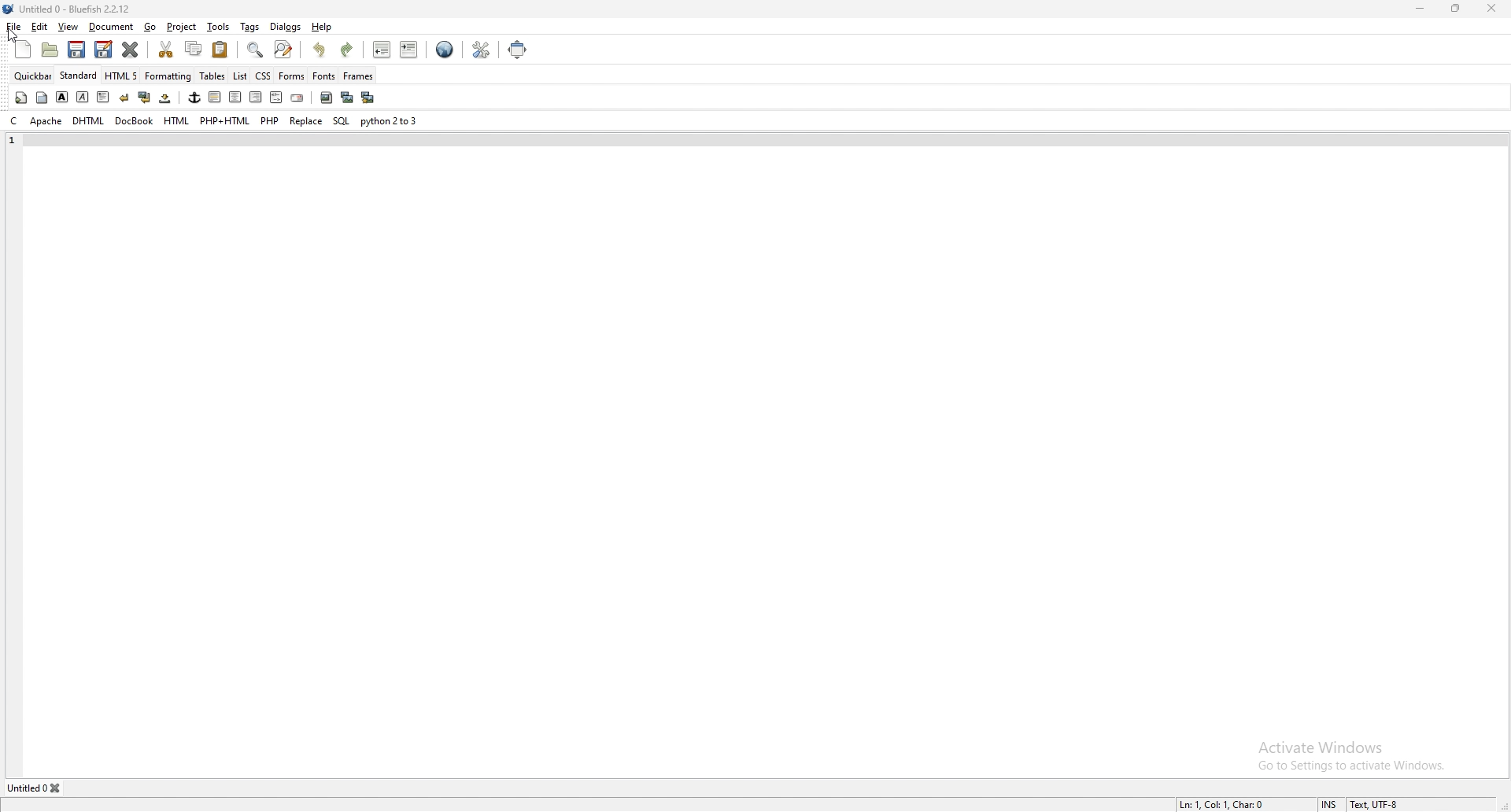 The height and width of the screenshot is (812, 1511). I want to click on view, so click(68, 27).